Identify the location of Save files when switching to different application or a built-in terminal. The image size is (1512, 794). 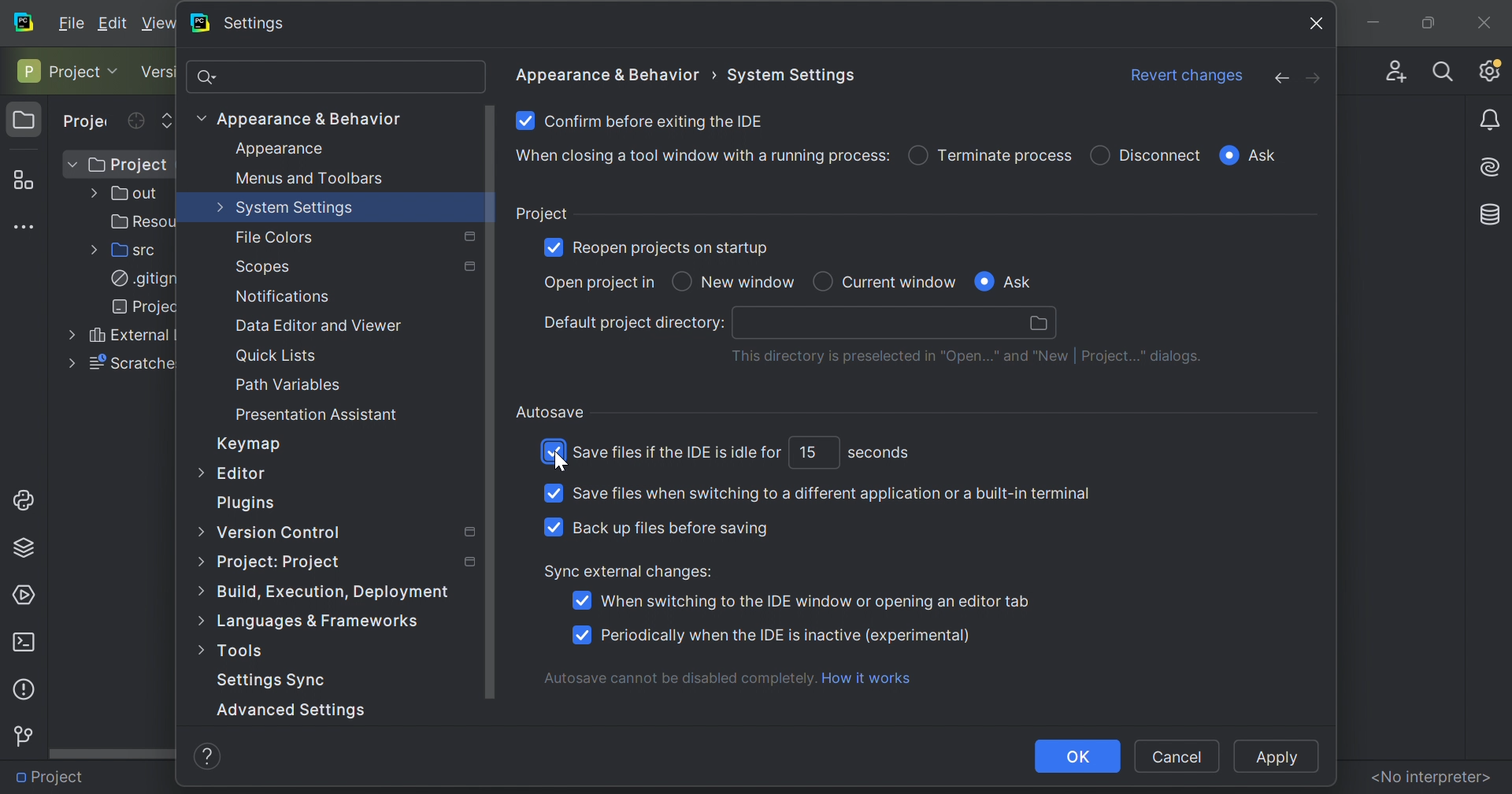
(830, 492).